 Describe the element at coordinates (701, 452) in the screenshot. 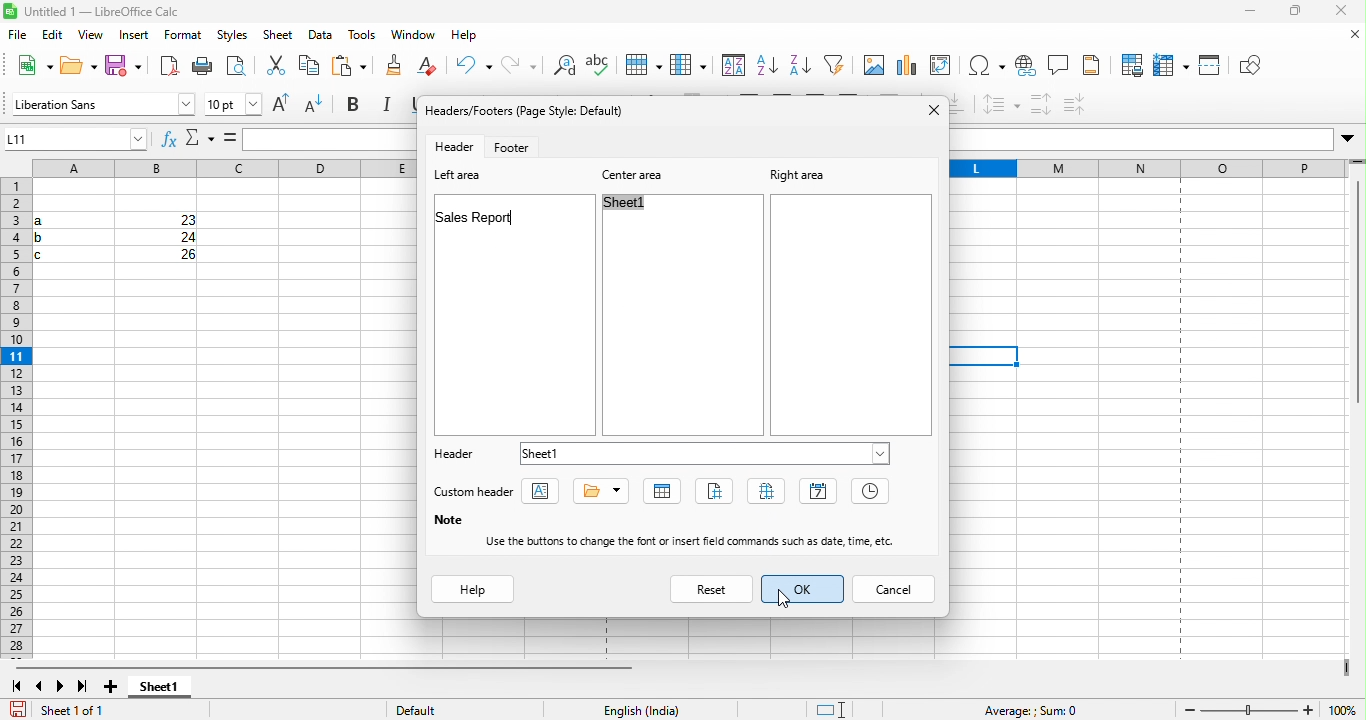

I see `sheet 1` at that location.